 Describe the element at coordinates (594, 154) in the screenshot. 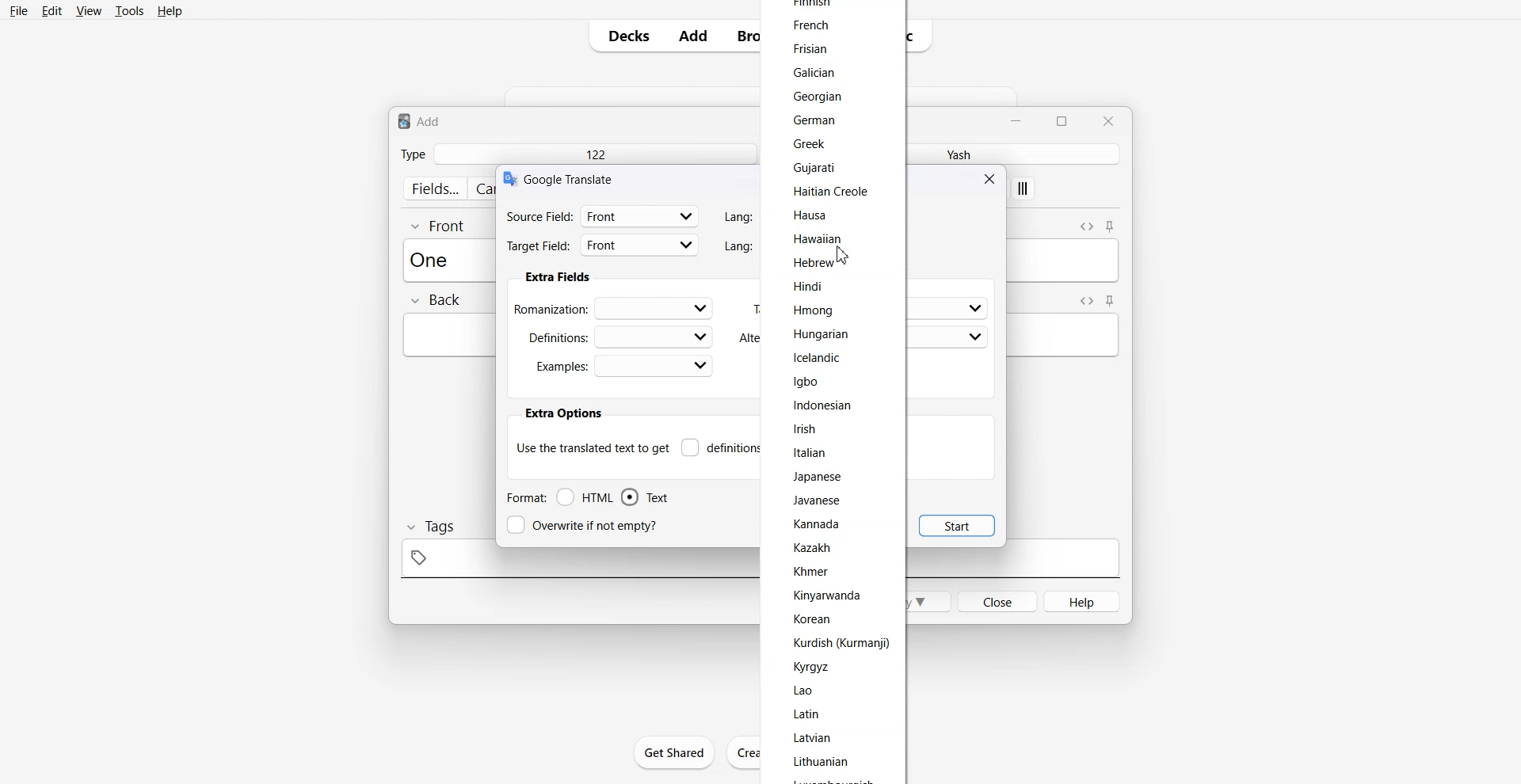

I see `122` at that location.